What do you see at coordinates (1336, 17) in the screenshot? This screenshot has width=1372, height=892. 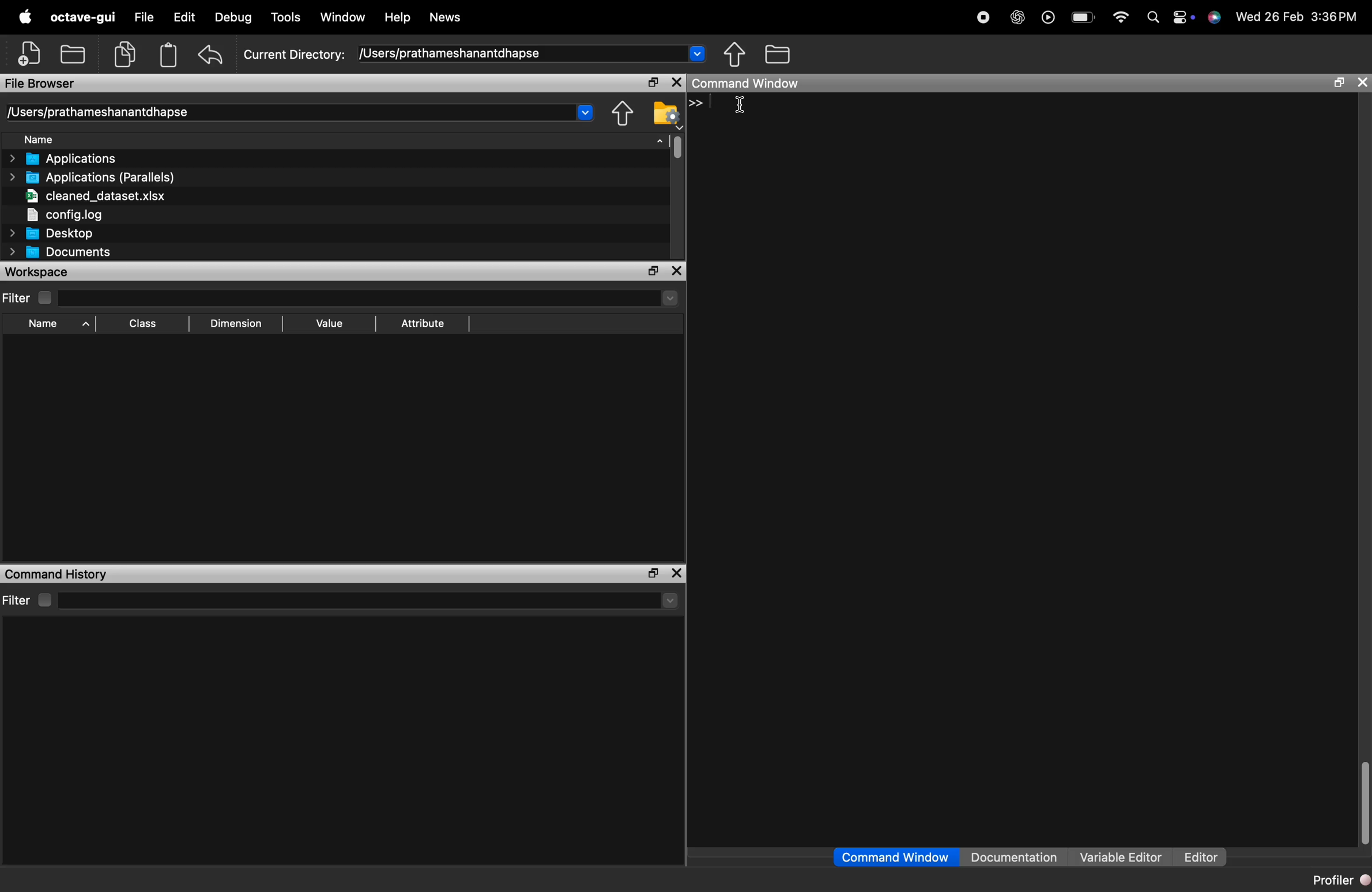 I see `3:36 PM` at bounding box center [1336, 17].